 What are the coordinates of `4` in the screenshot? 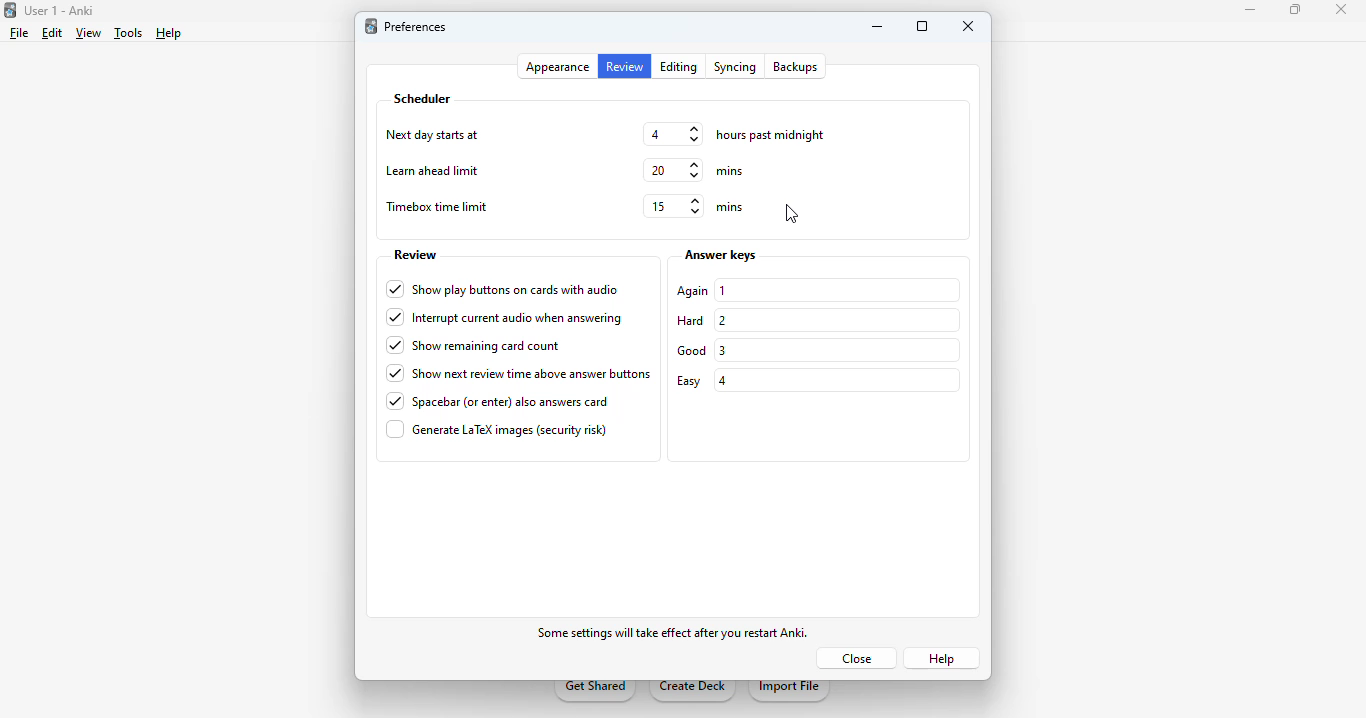 It's located at (721, 381).